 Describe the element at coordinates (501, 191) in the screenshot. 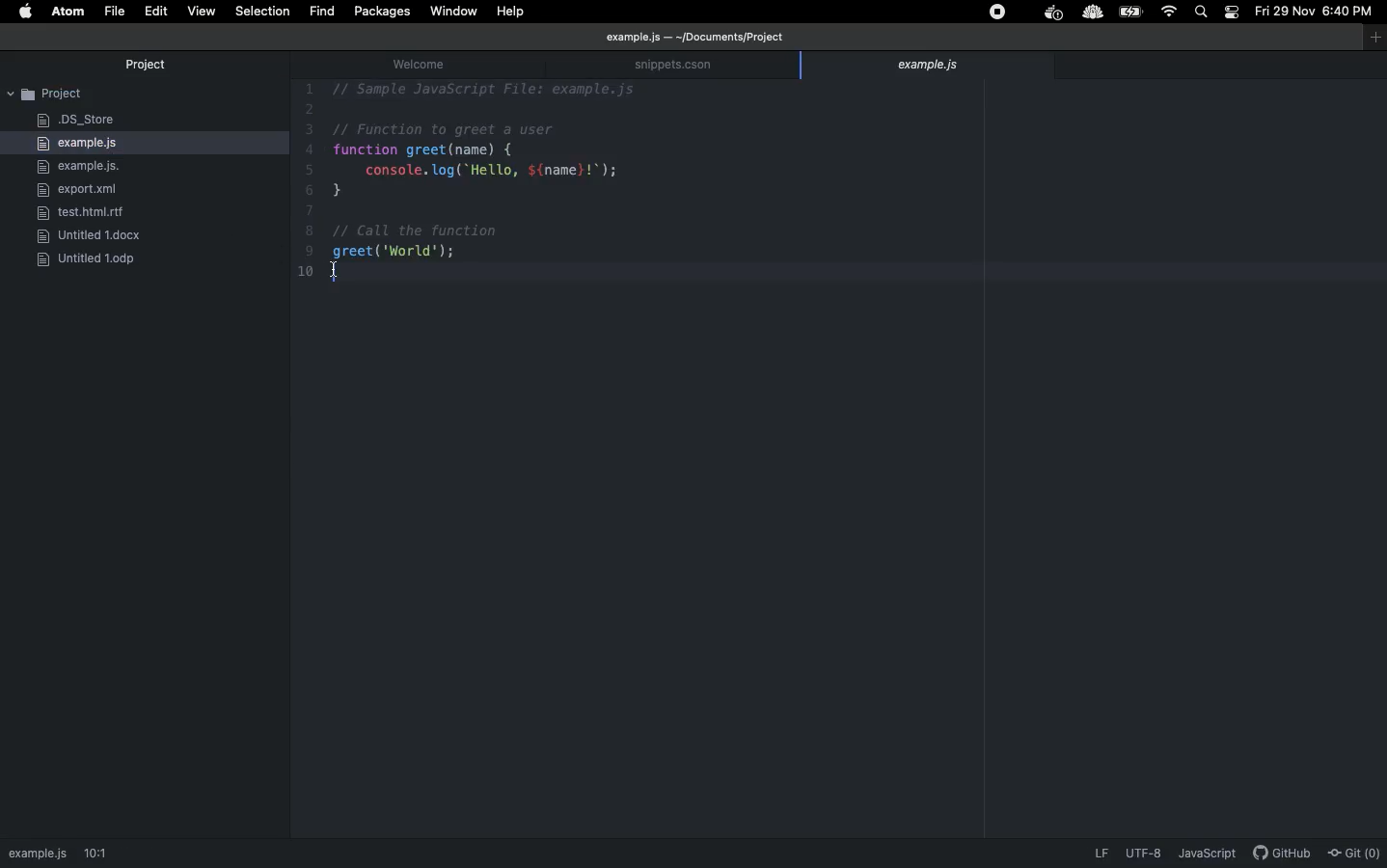

I see `Code` at that location.